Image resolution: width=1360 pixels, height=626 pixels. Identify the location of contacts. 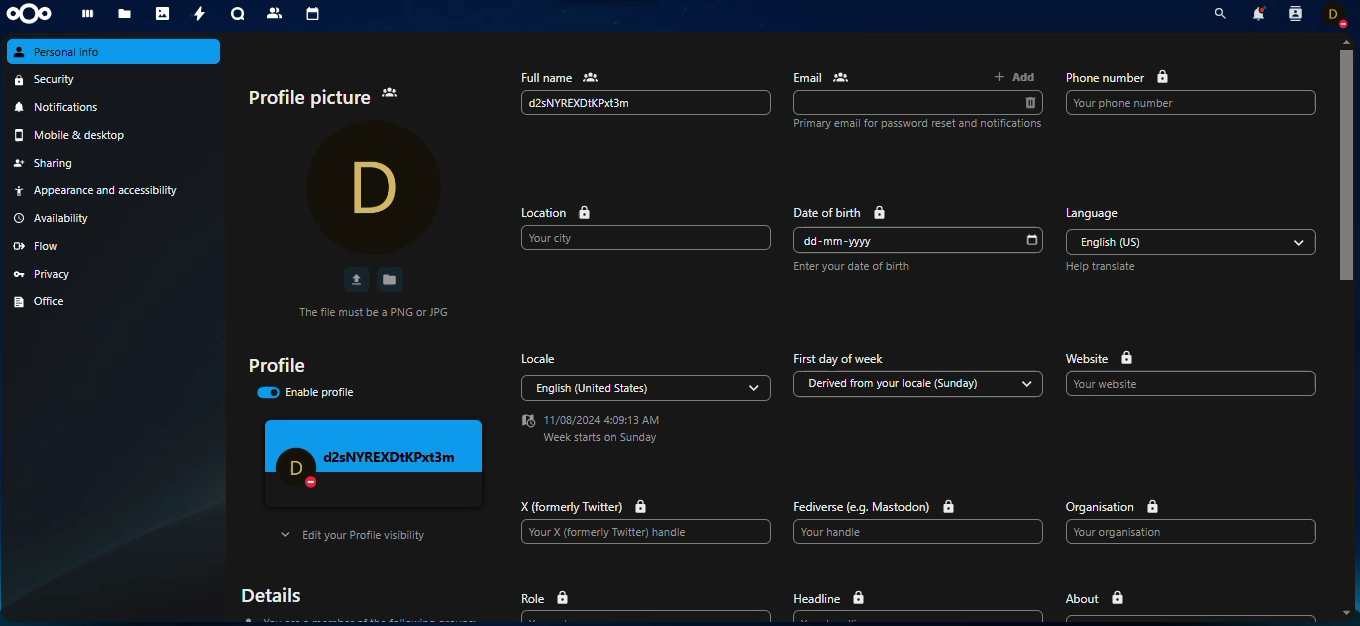
(1296, 14).